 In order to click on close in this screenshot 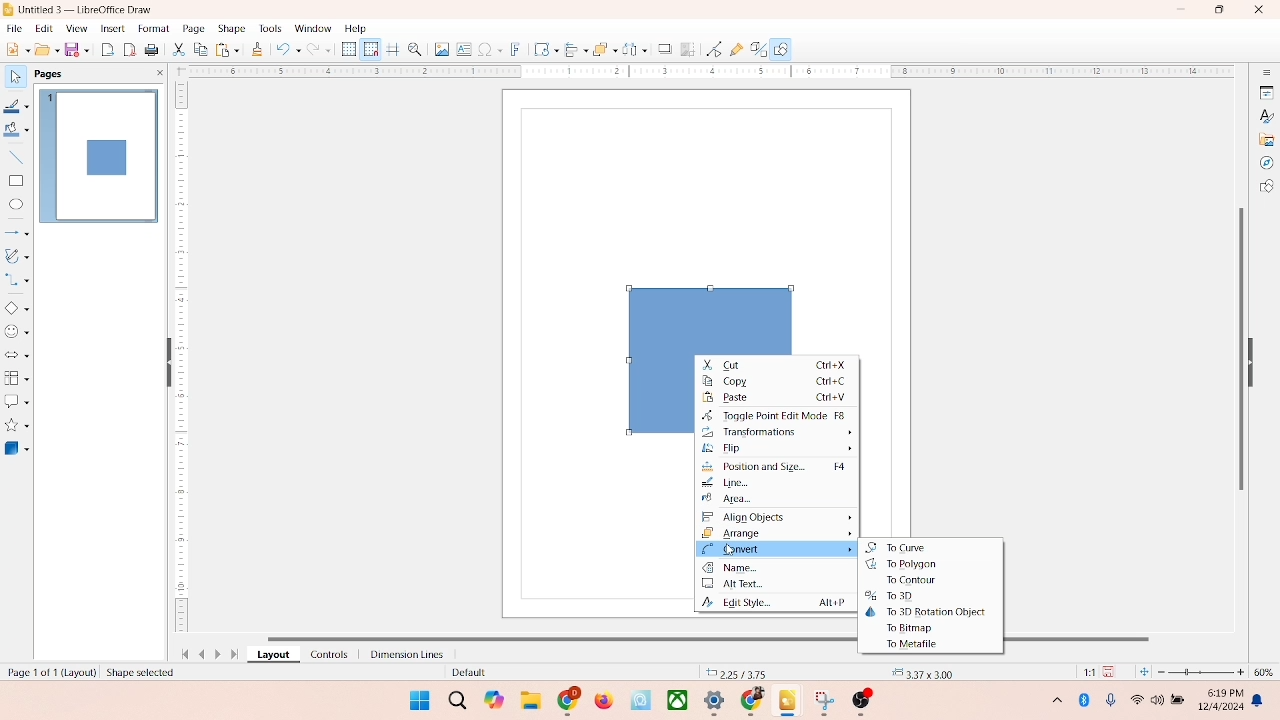, I will do `click(156, 73)`.